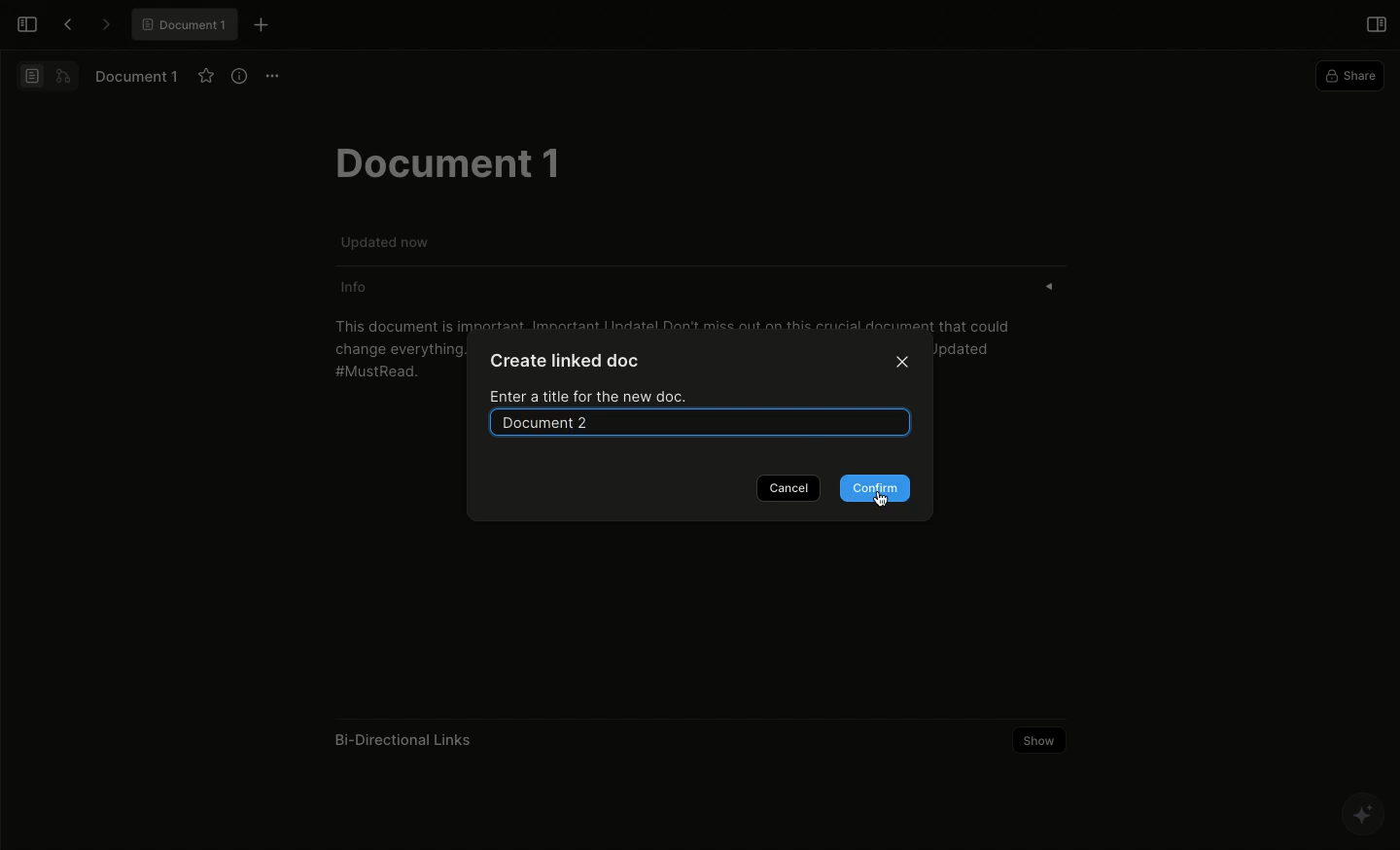  I want to click on cursor on confirm, so click(882, 500).